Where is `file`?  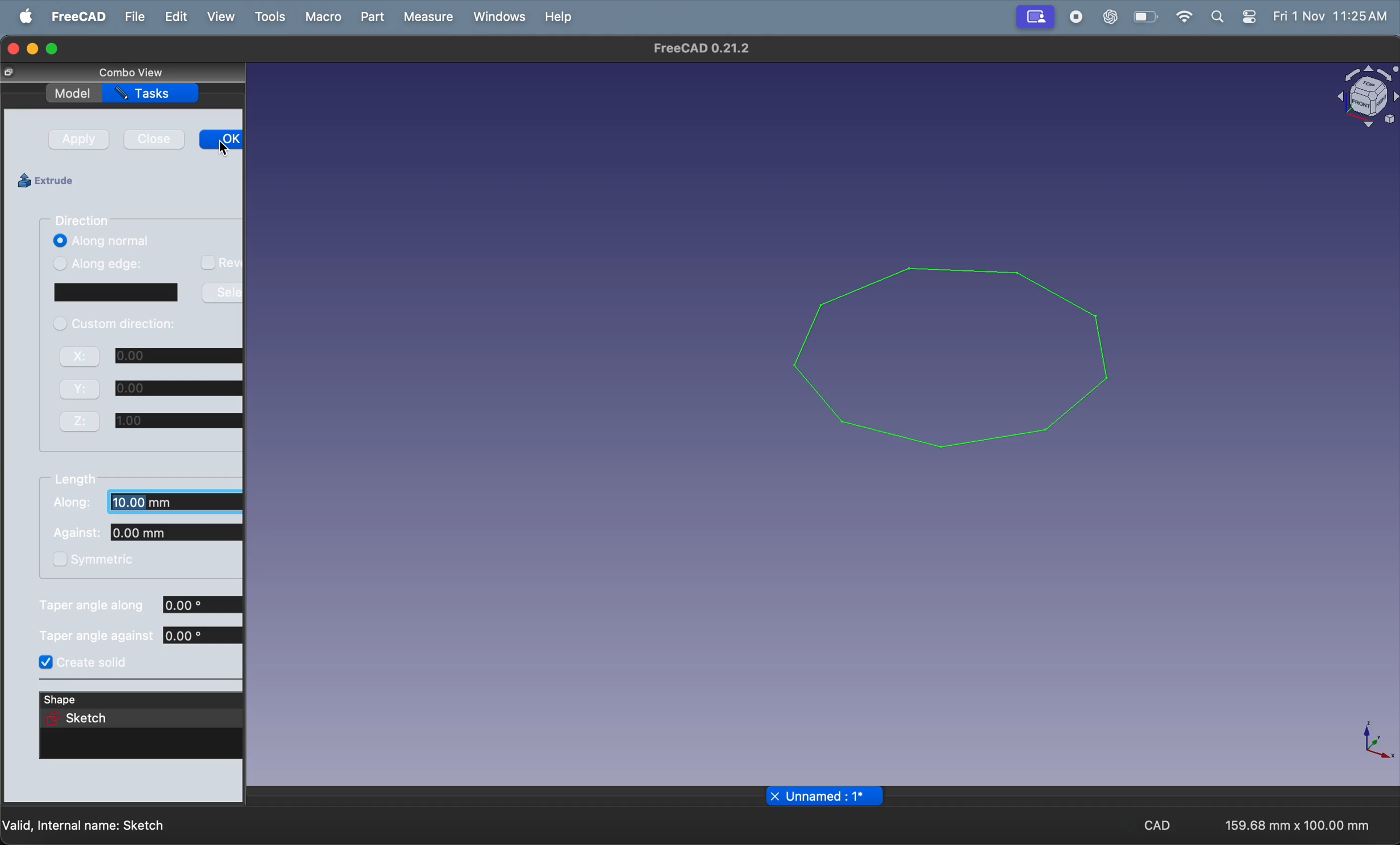
file is located at coordinates (130, 18).